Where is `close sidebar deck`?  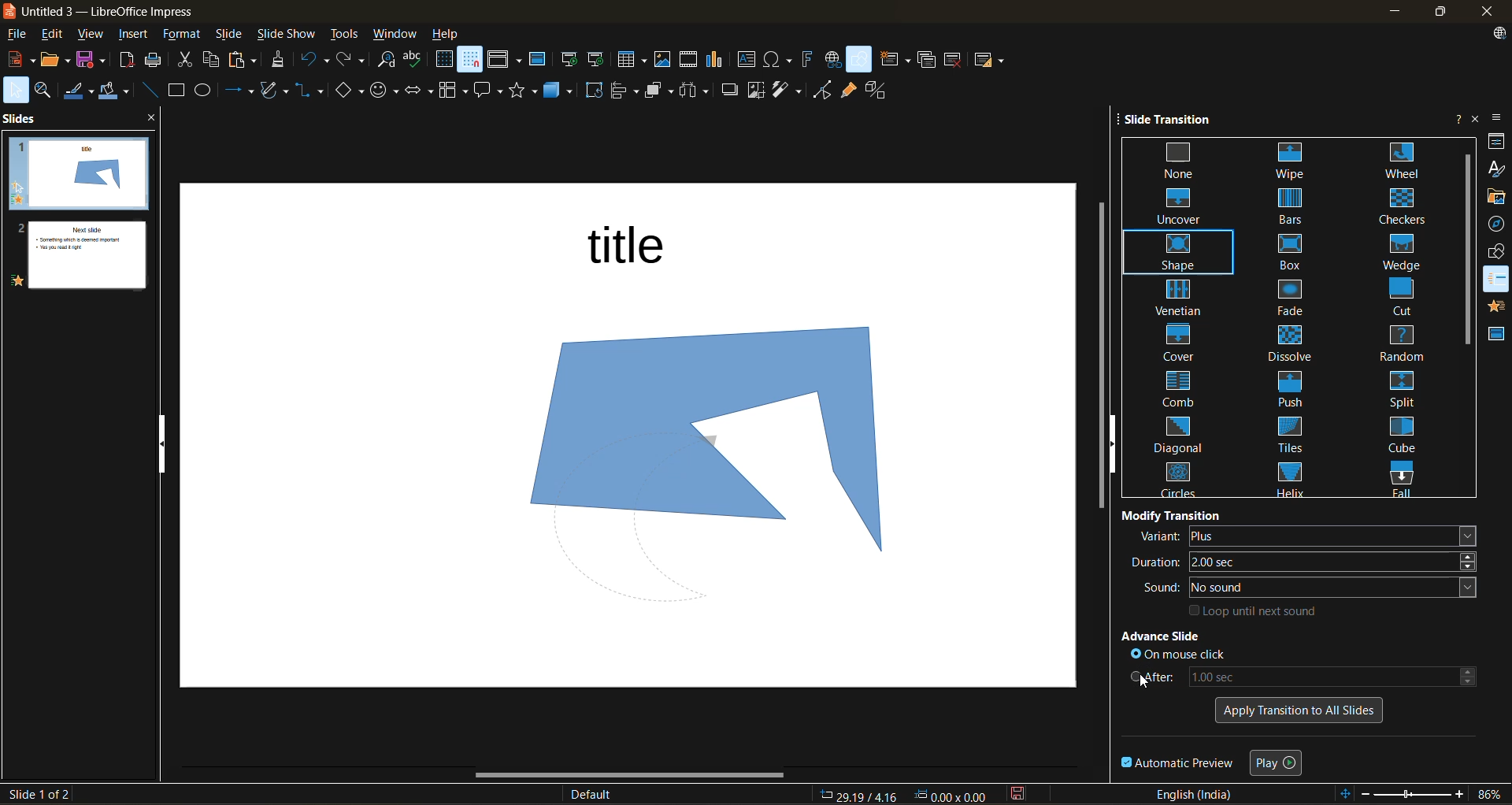 close sidebar deck is located at coordinates (1474, 118).